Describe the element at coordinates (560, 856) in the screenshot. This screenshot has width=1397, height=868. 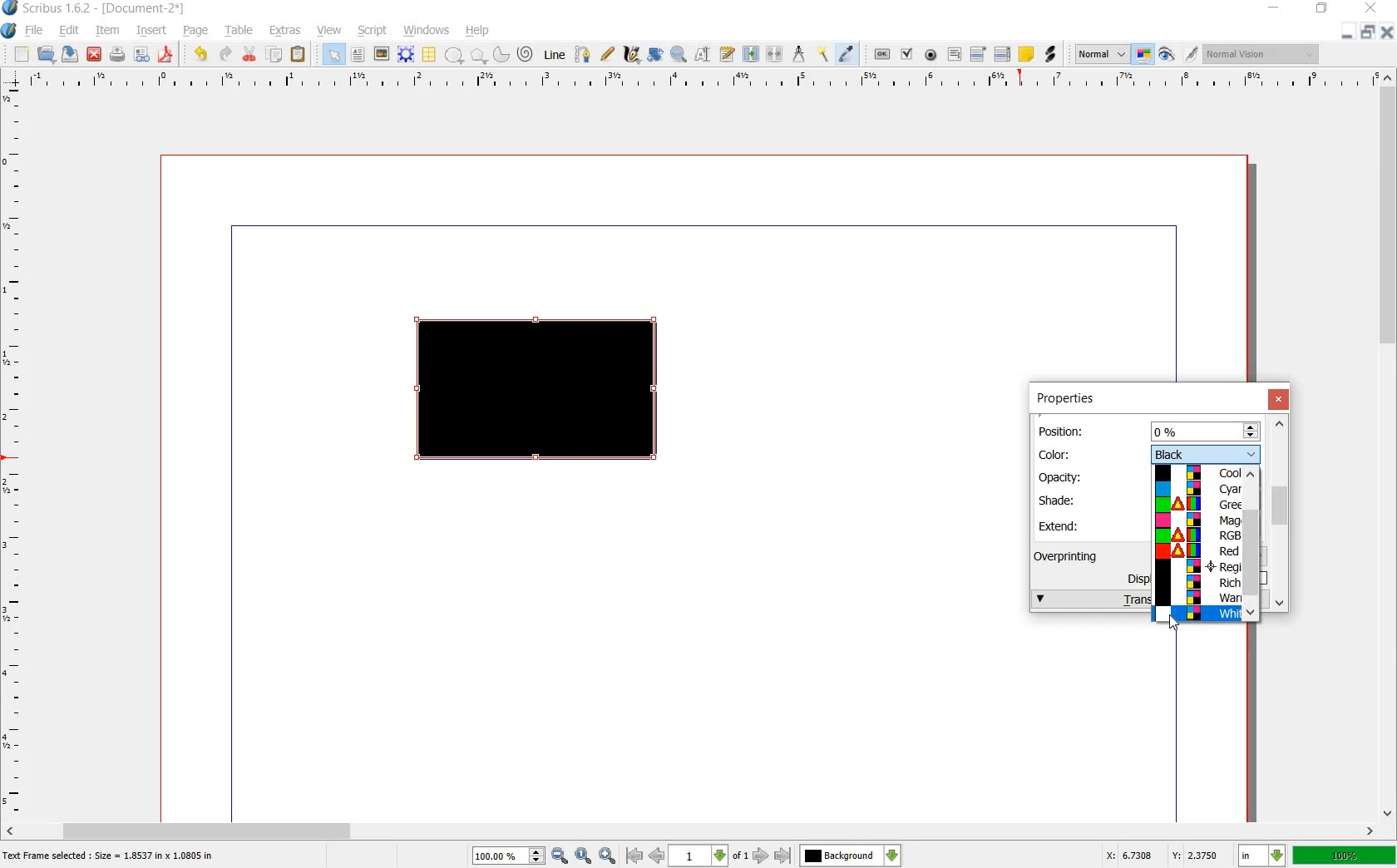
I see `zoom out` at that location.